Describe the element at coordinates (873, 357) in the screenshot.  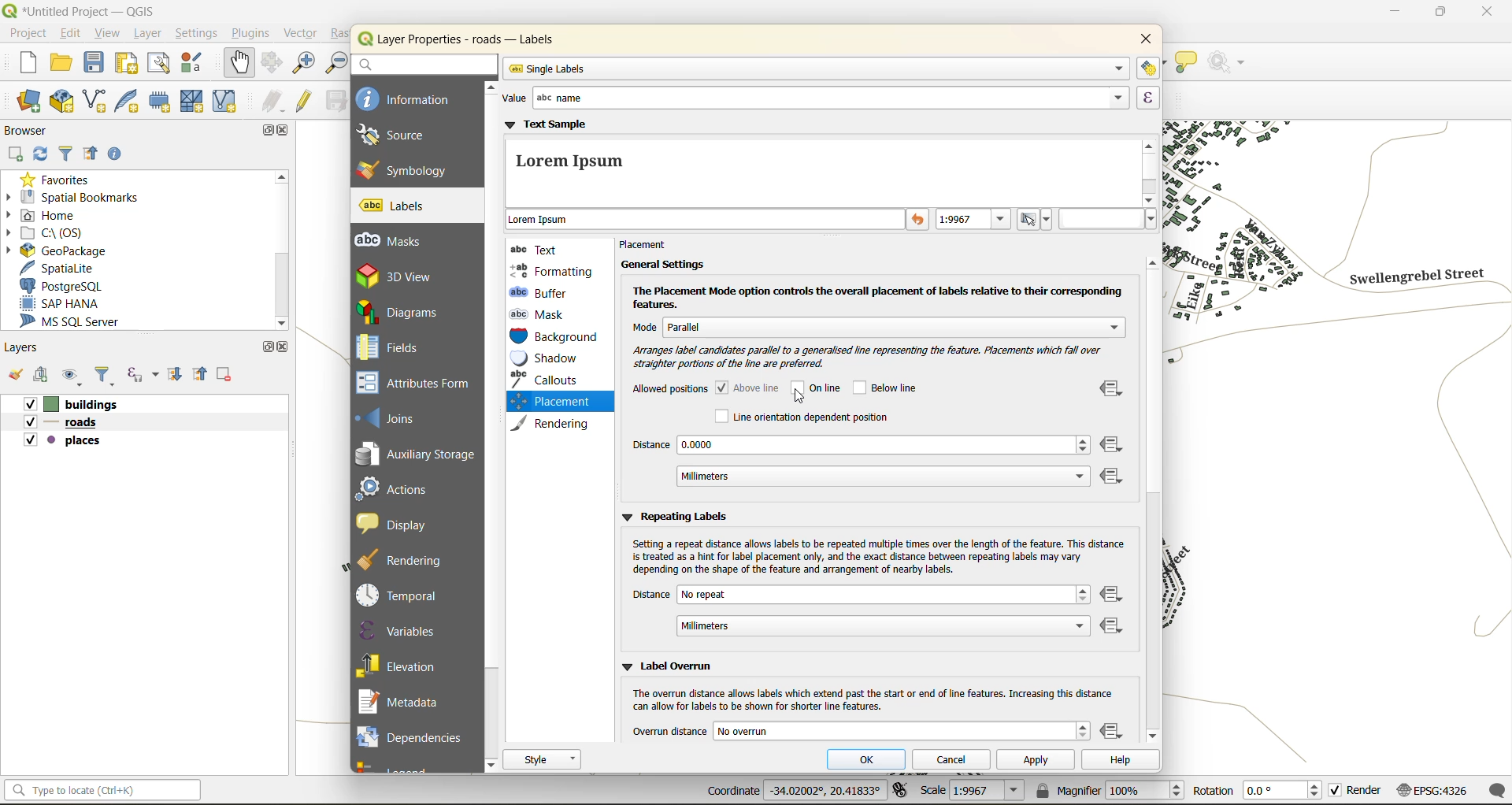
I see `Arranges label candidates parallel to a generalised line representing the feature. Placements which fall over
straighter portions of the line are preferred,` at that location.